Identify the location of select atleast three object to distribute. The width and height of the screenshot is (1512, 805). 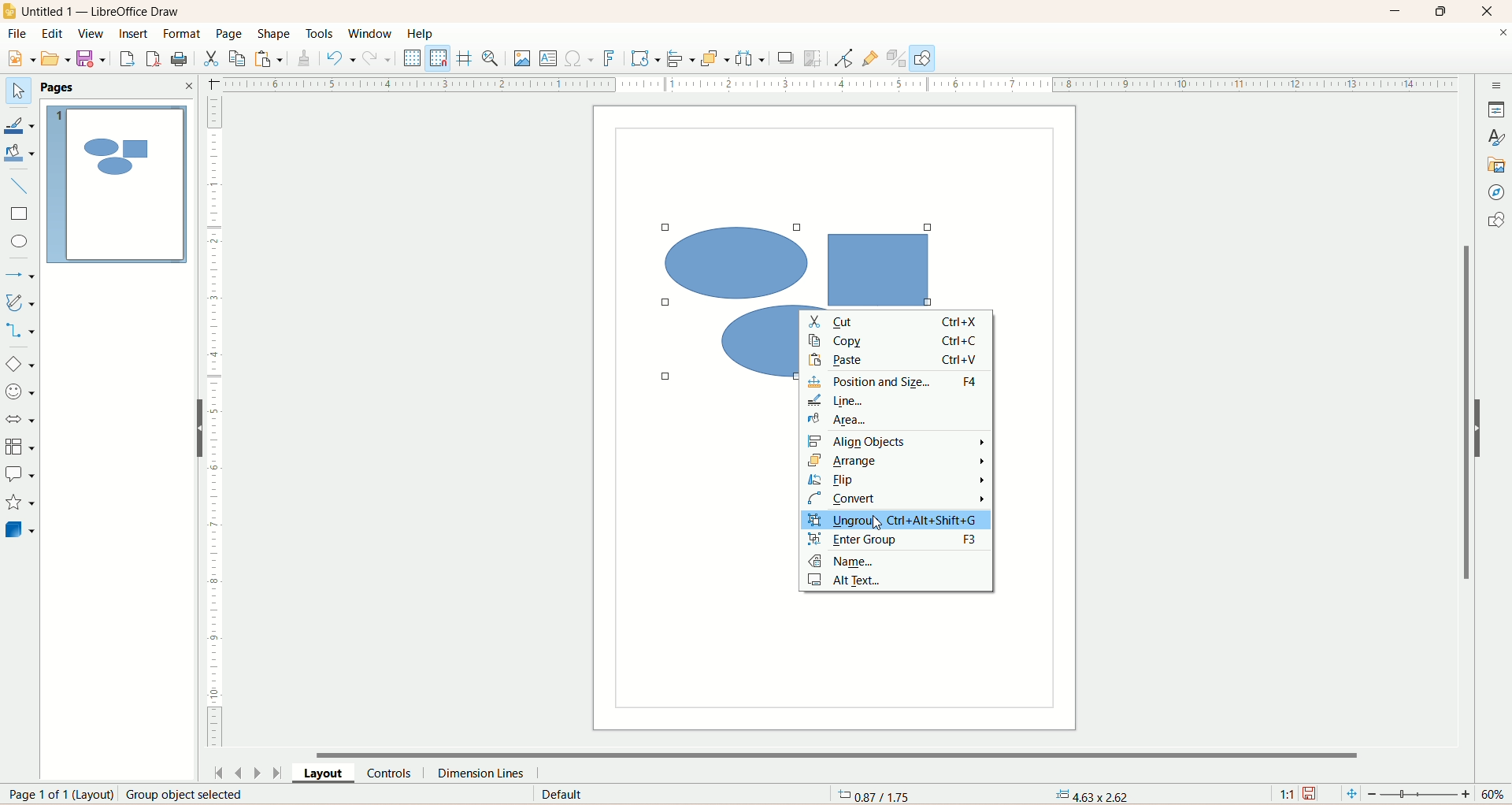
(750, 58).